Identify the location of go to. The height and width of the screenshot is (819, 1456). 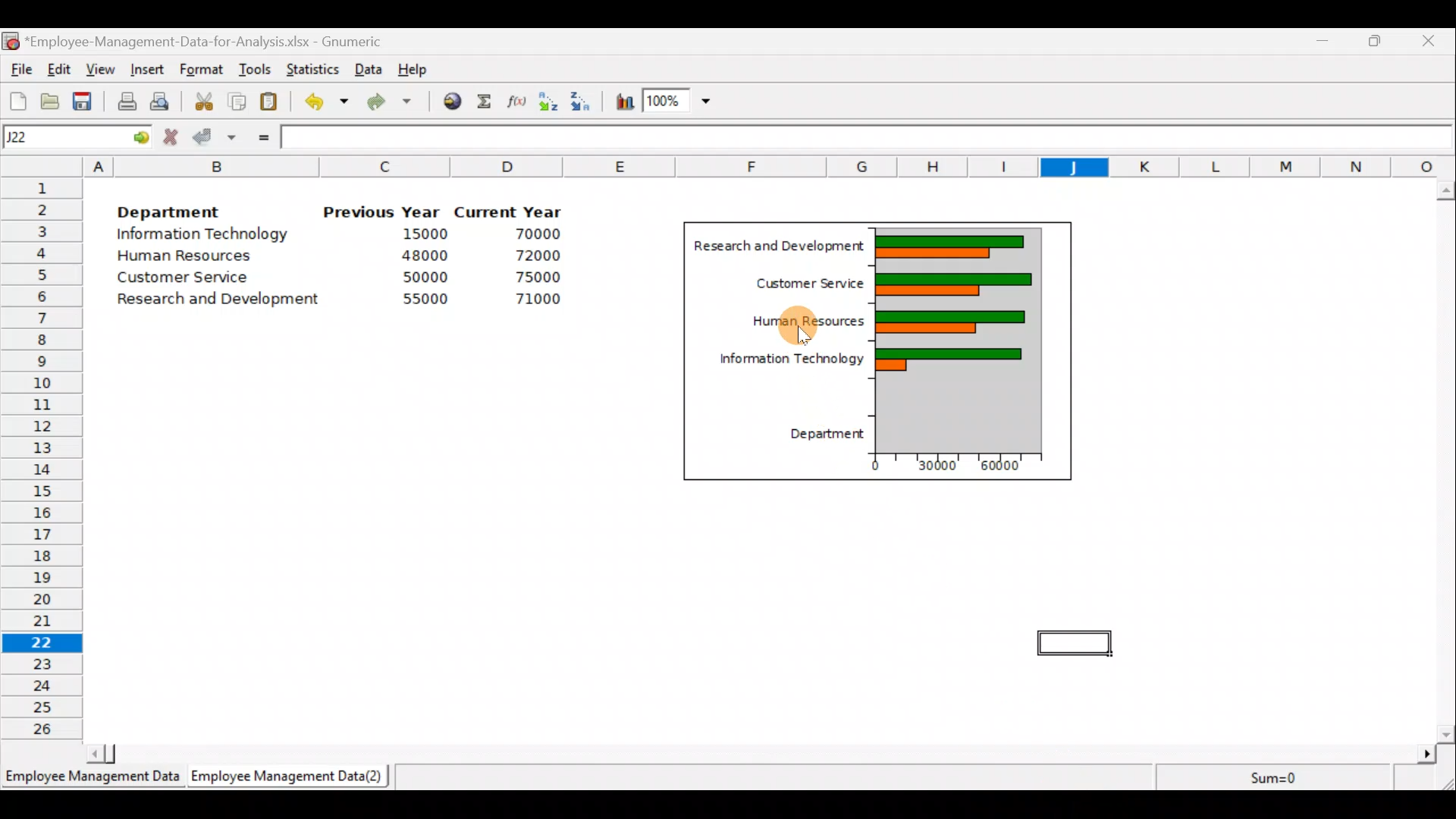
(140, 137).